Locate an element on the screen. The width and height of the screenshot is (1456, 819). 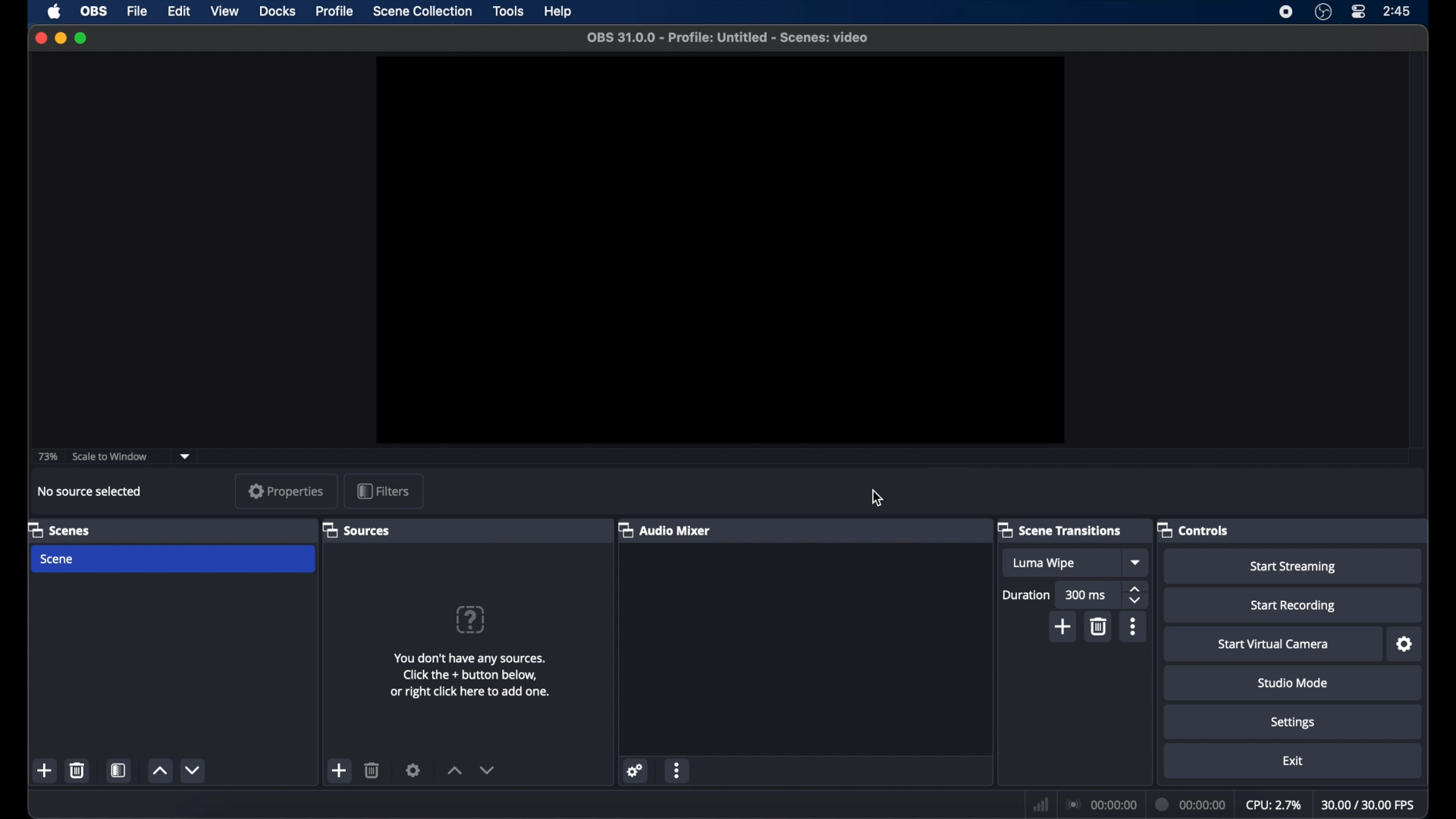
profile is located at coordinates (334, 12).